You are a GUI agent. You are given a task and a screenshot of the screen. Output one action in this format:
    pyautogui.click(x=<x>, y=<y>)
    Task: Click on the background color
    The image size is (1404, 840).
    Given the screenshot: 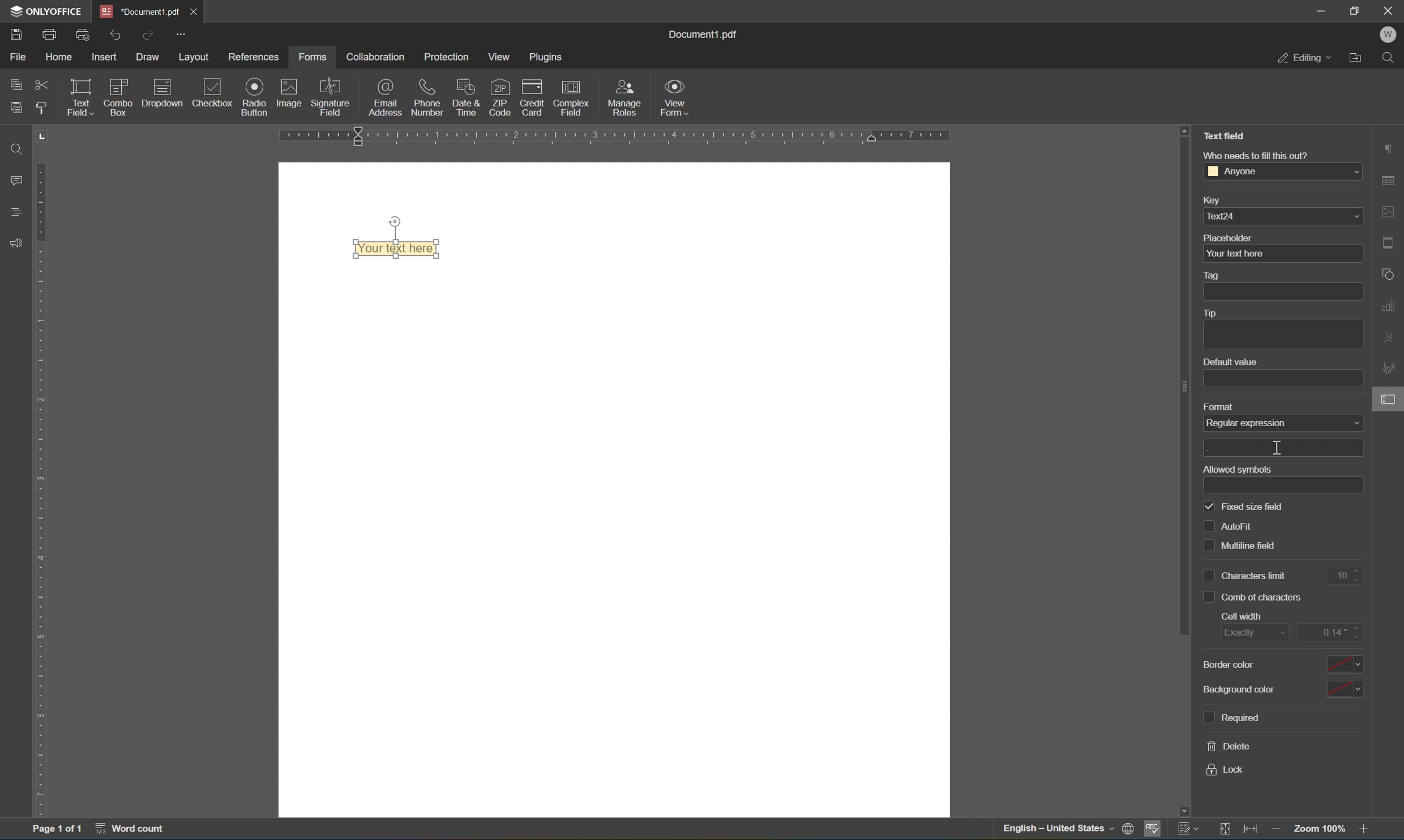 What is the action you would take?
    pyautogui.click(x=1240, y=689)
    